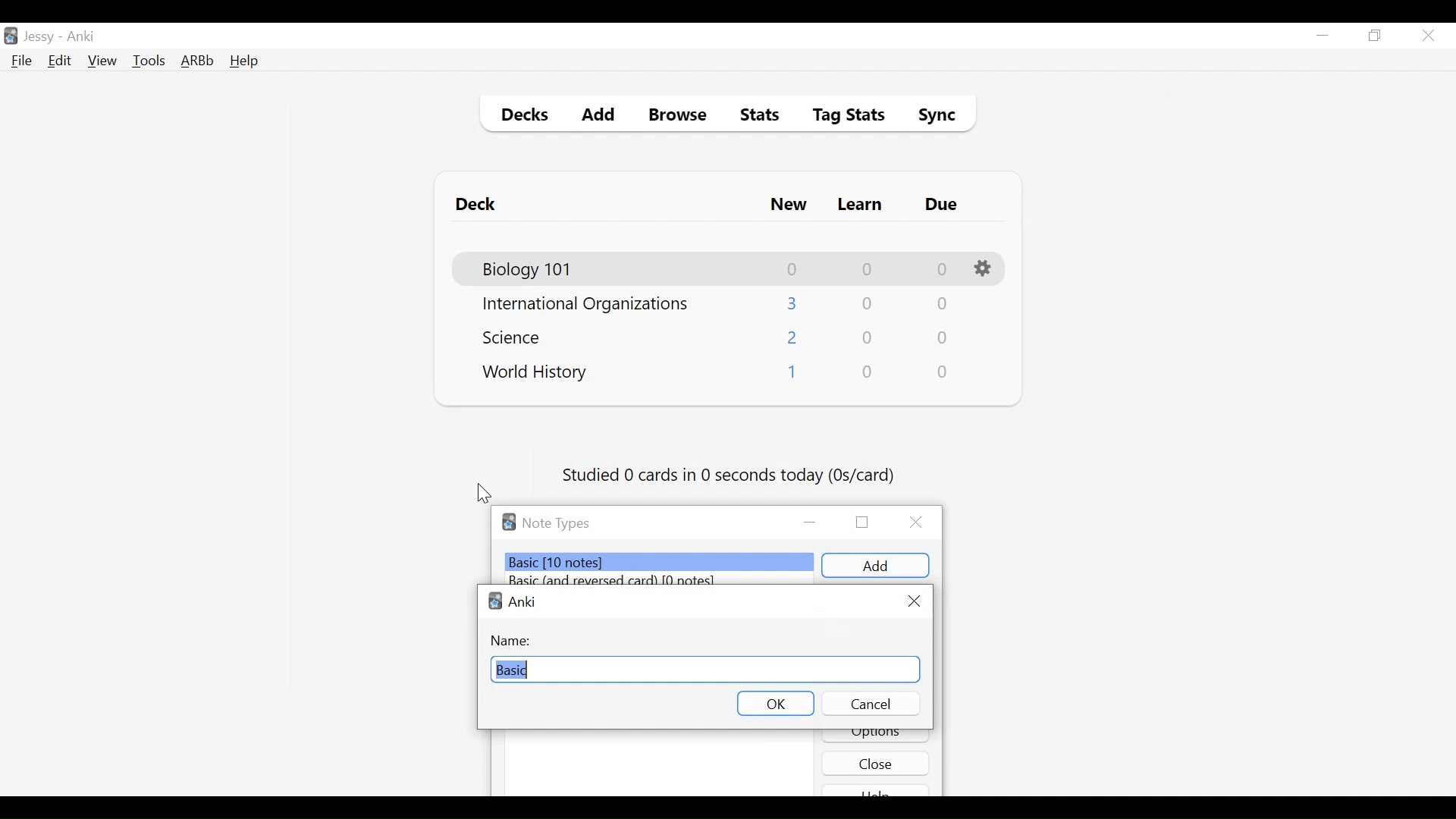 Image resolution: width=1456 pixels, height=819 pixels. What do you see at coordinates (495, 601) in the screenshot?
I see `Anki logo` at bounding box center [495, 601].